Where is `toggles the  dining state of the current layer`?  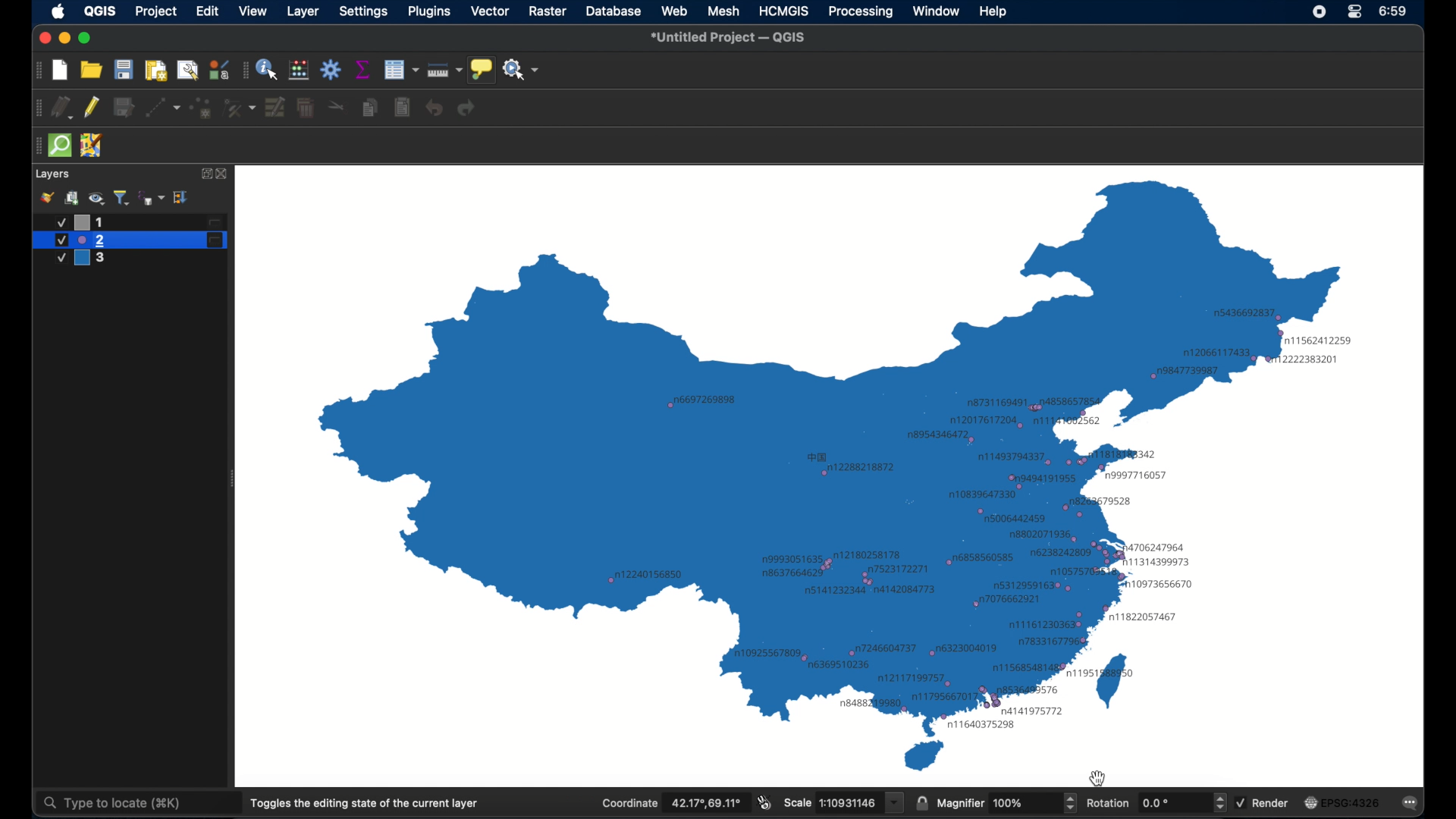
toggles the  dining state of the current layer is located at coordinates (365, 803).